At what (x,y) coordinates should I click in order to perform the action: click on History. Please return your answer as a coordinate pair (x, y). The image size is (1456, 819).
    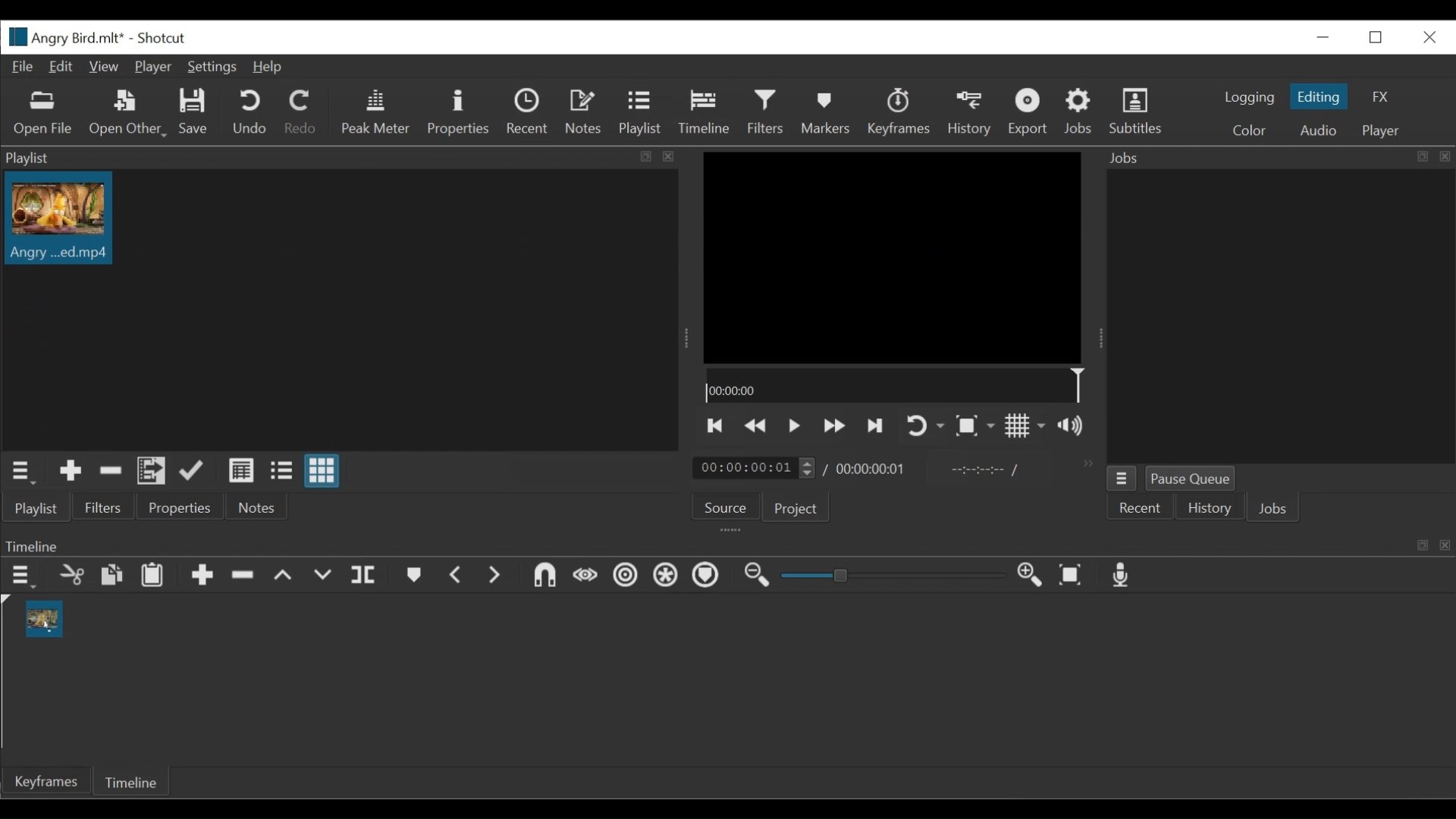
    Looking at the image, I should click on (971, 113).